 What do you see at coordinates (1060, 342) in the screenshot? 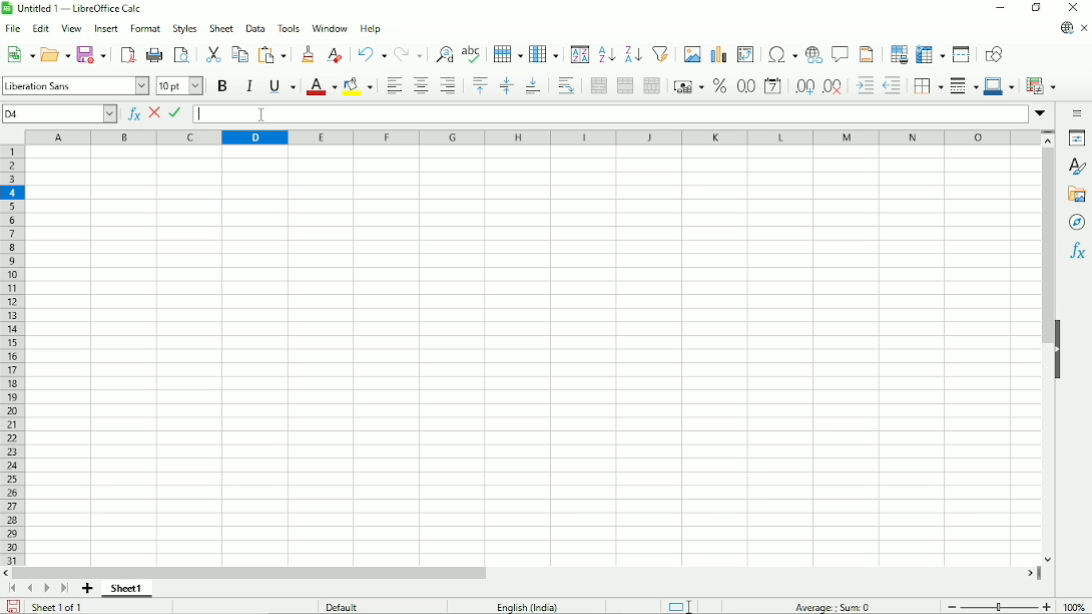
I see `Hide` at bounding box center [1060, 342].